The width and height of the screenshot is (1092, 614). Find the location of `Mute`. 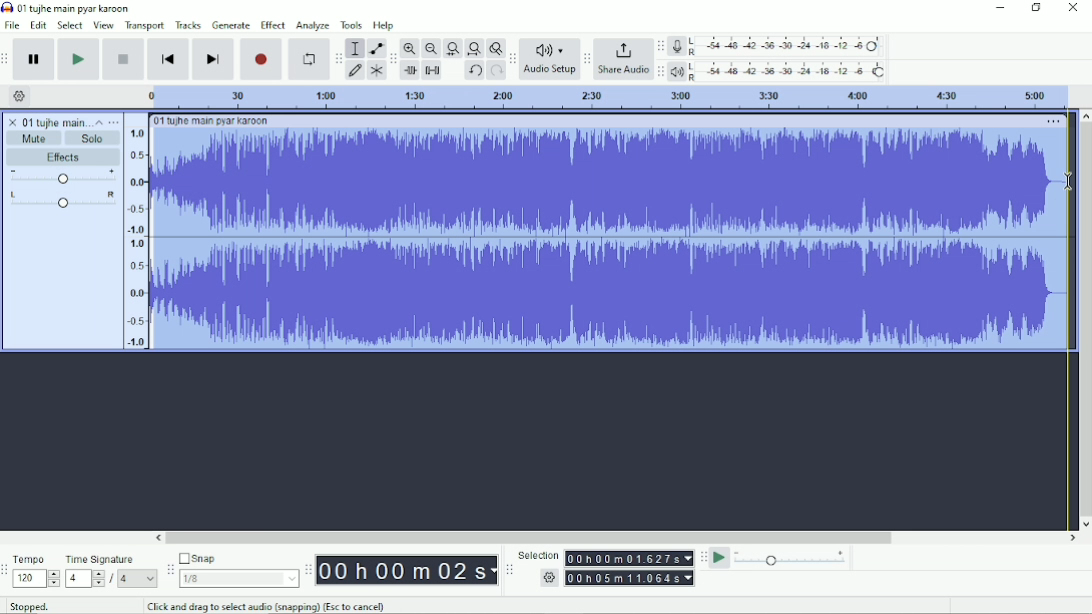

Mute is located at coordinates (35, 138).